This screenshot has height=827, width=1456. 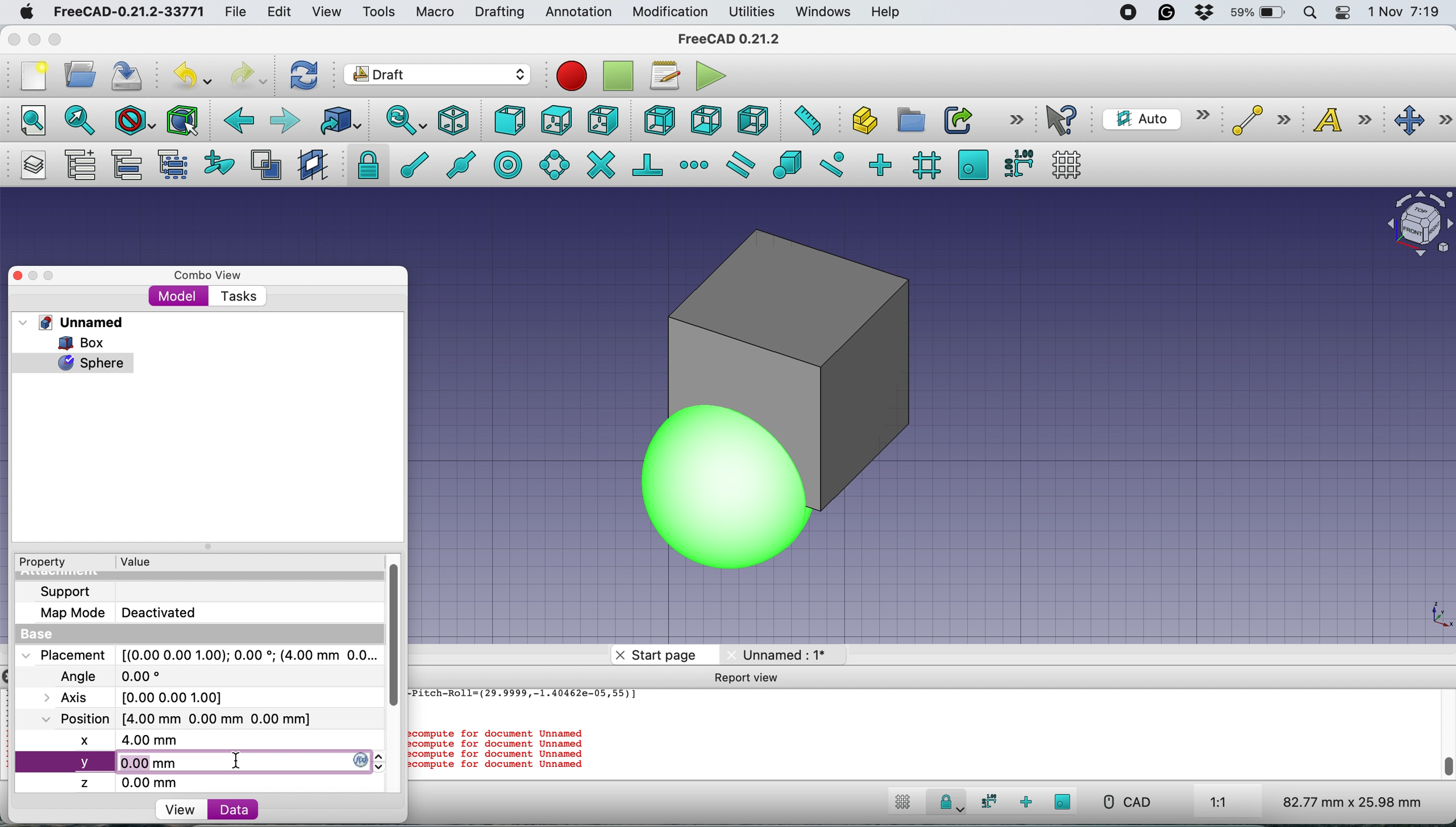 What do you see at coordinates (748, 676) in the screenshot?
I see `report view` at bounding box center [748, 676].